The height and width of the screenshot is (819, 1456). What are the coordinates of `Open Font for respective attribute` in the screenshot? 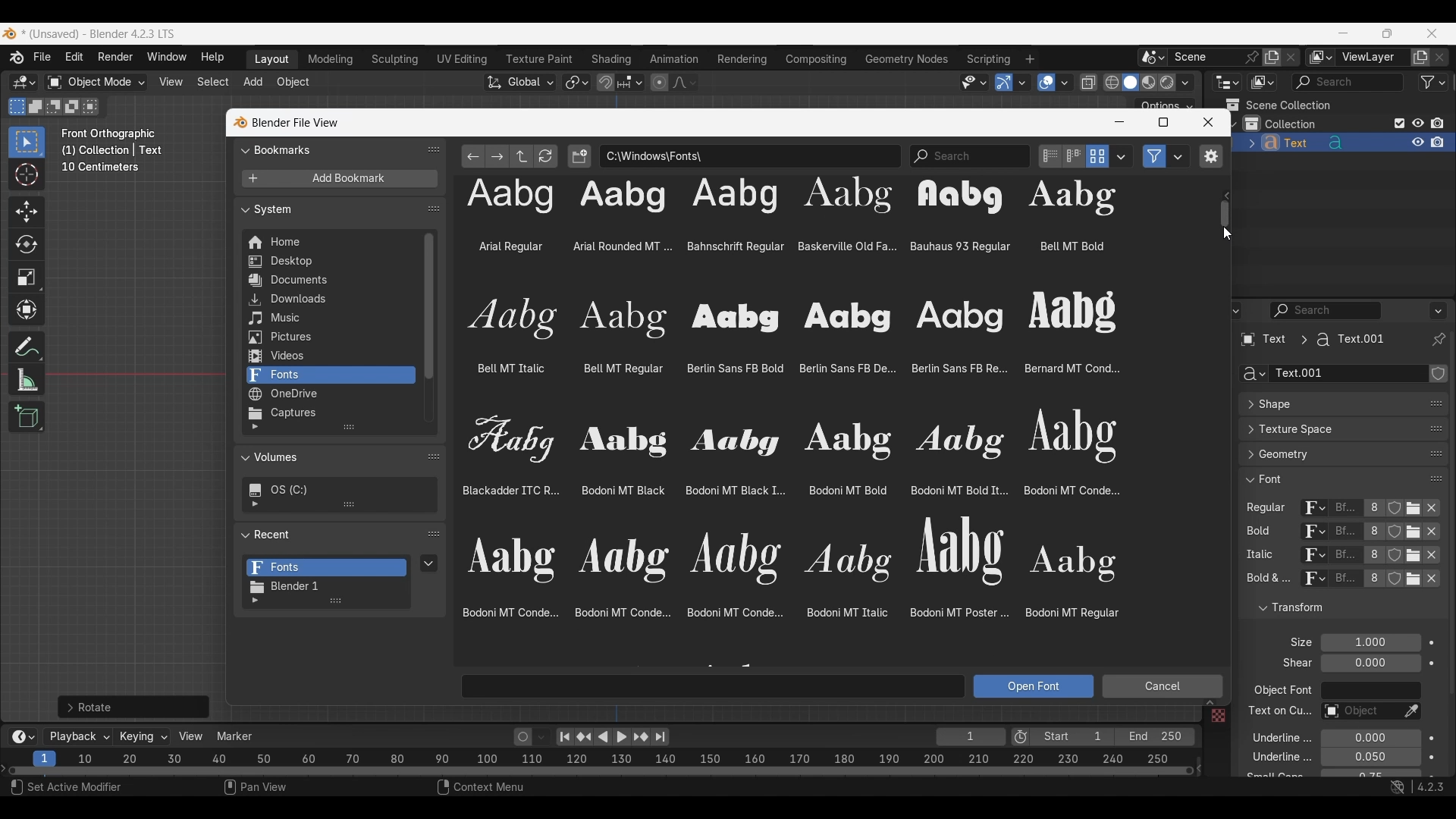 It's located at (1415, 508).